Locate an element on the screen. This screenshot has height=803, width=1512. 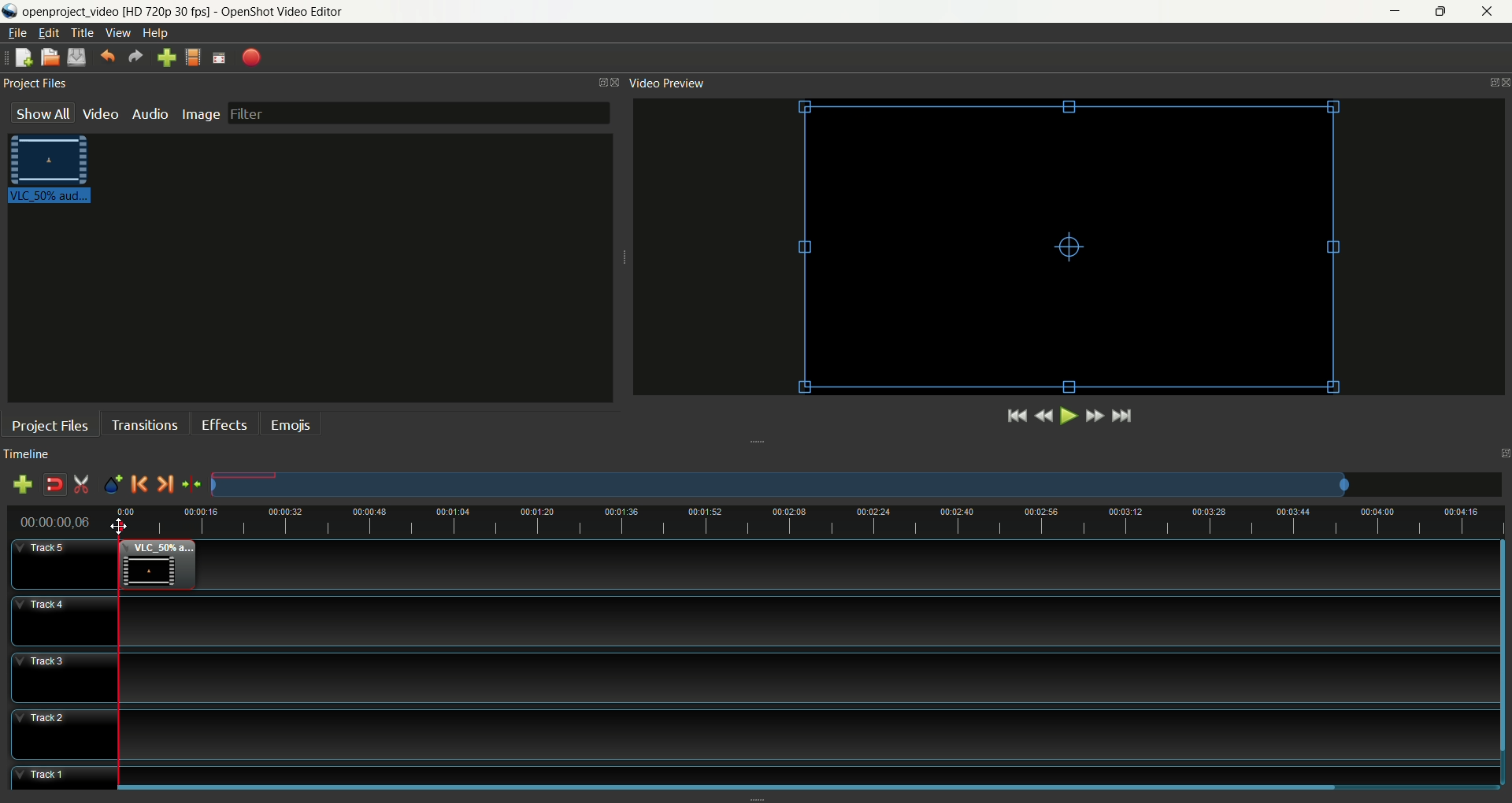
enable razor is located at coordinates (82, 485).